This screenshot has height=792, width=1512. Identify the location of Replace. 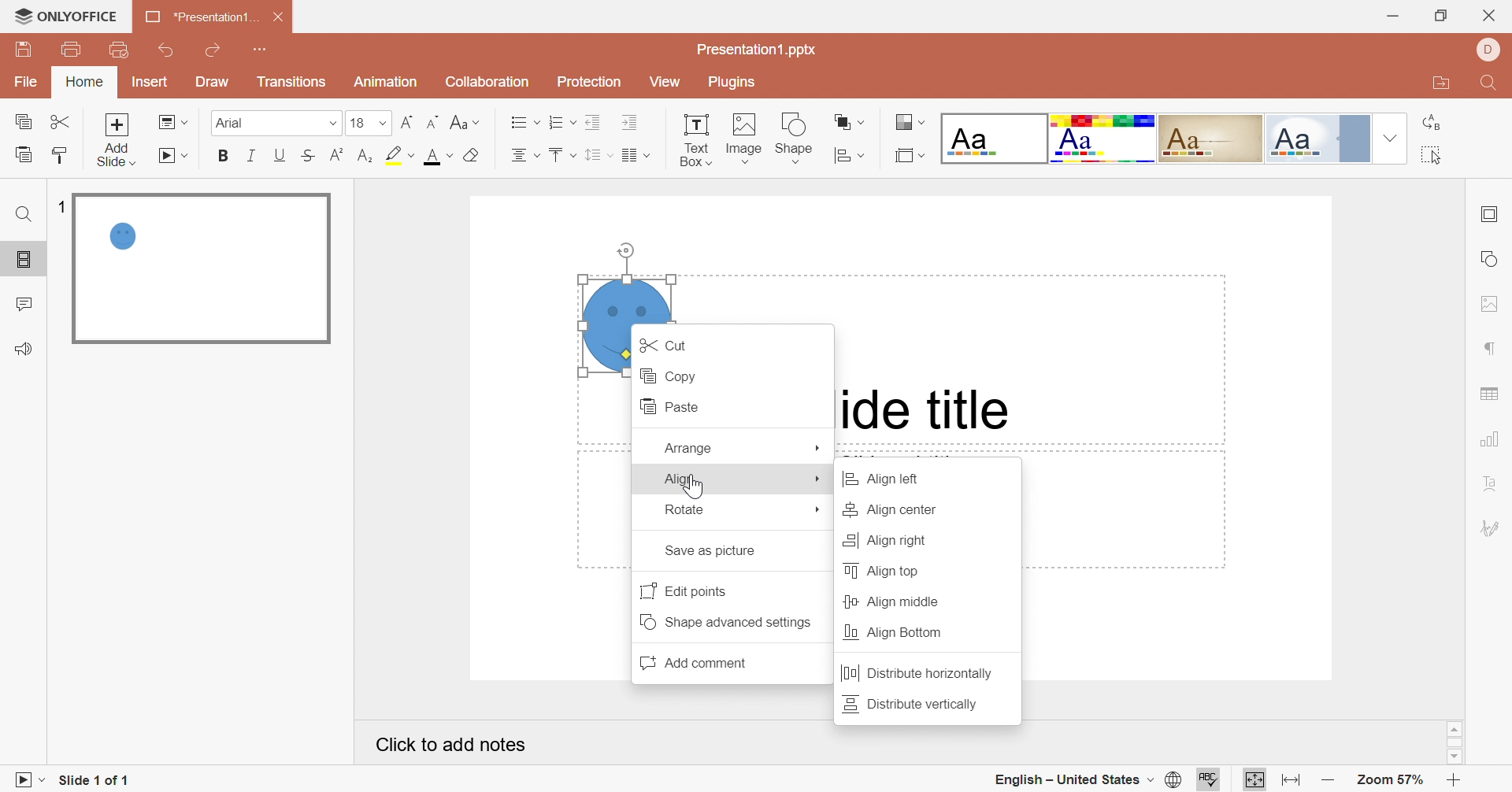
(1434, 123).